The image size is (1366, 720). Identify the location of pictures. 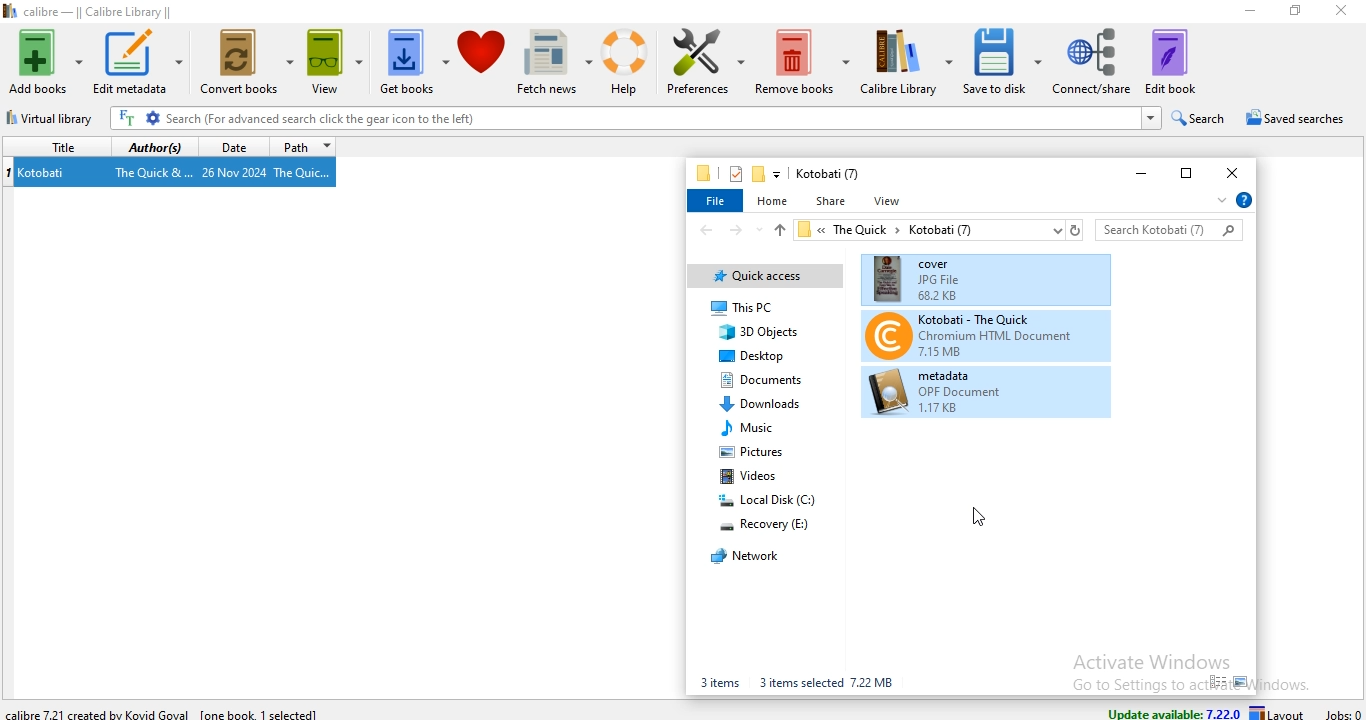
(752, 455).